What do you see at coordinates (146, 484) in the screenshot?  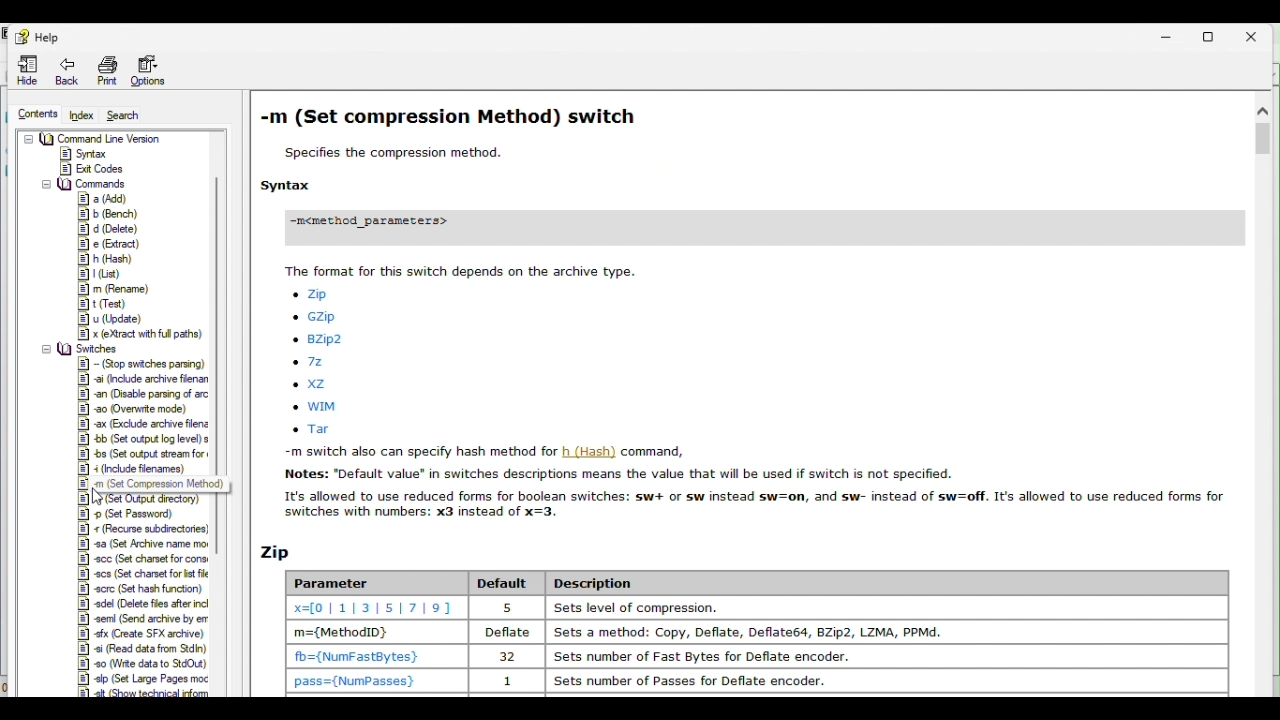 I see `set compression method` at bounding box center [146, 484].